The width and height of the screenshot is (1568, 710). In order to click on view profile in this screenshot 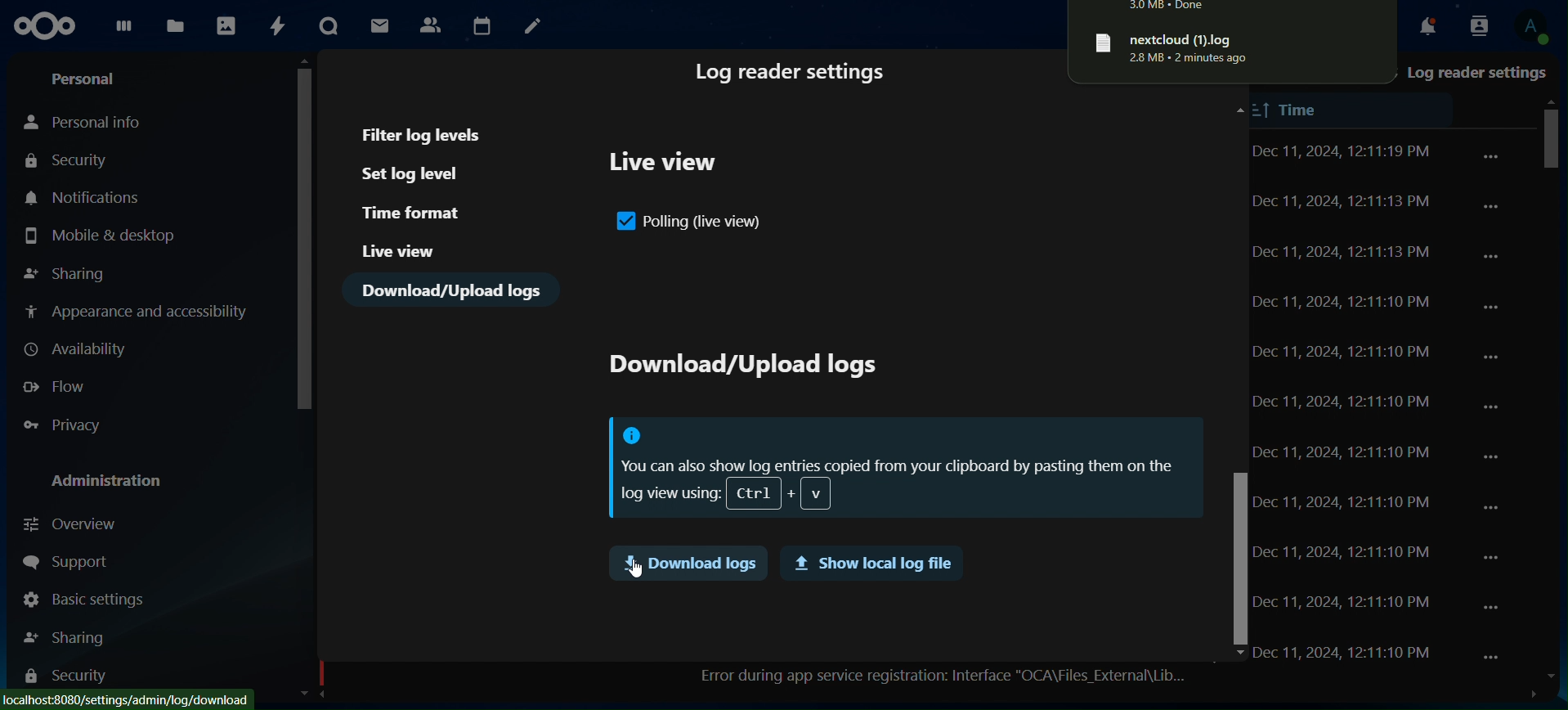, I will do `click(1530, 28)`.